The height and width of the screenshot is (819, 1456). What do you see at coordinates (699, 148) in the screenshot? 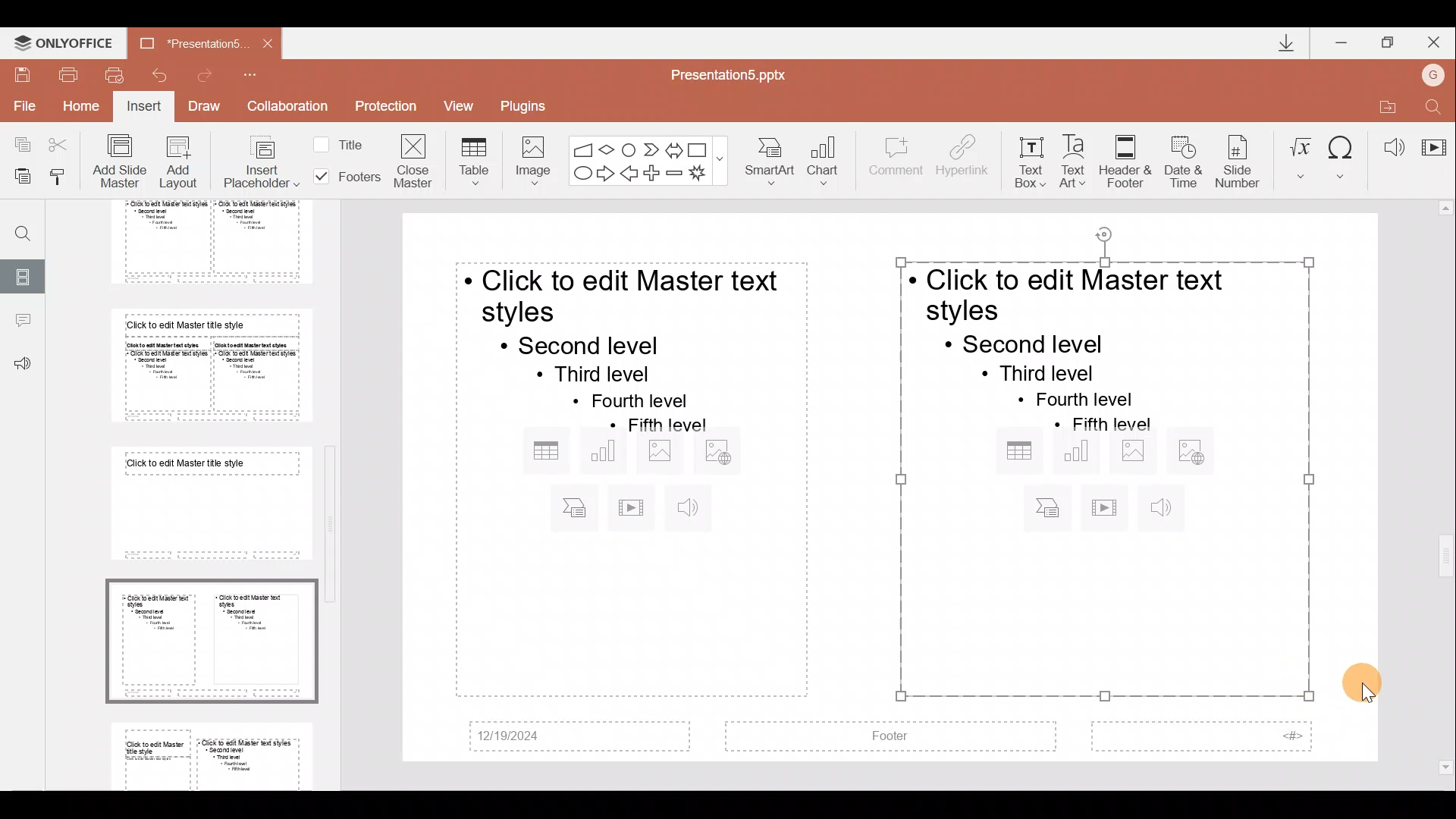
I see `Rectangle` at bounding box center [699, 148].